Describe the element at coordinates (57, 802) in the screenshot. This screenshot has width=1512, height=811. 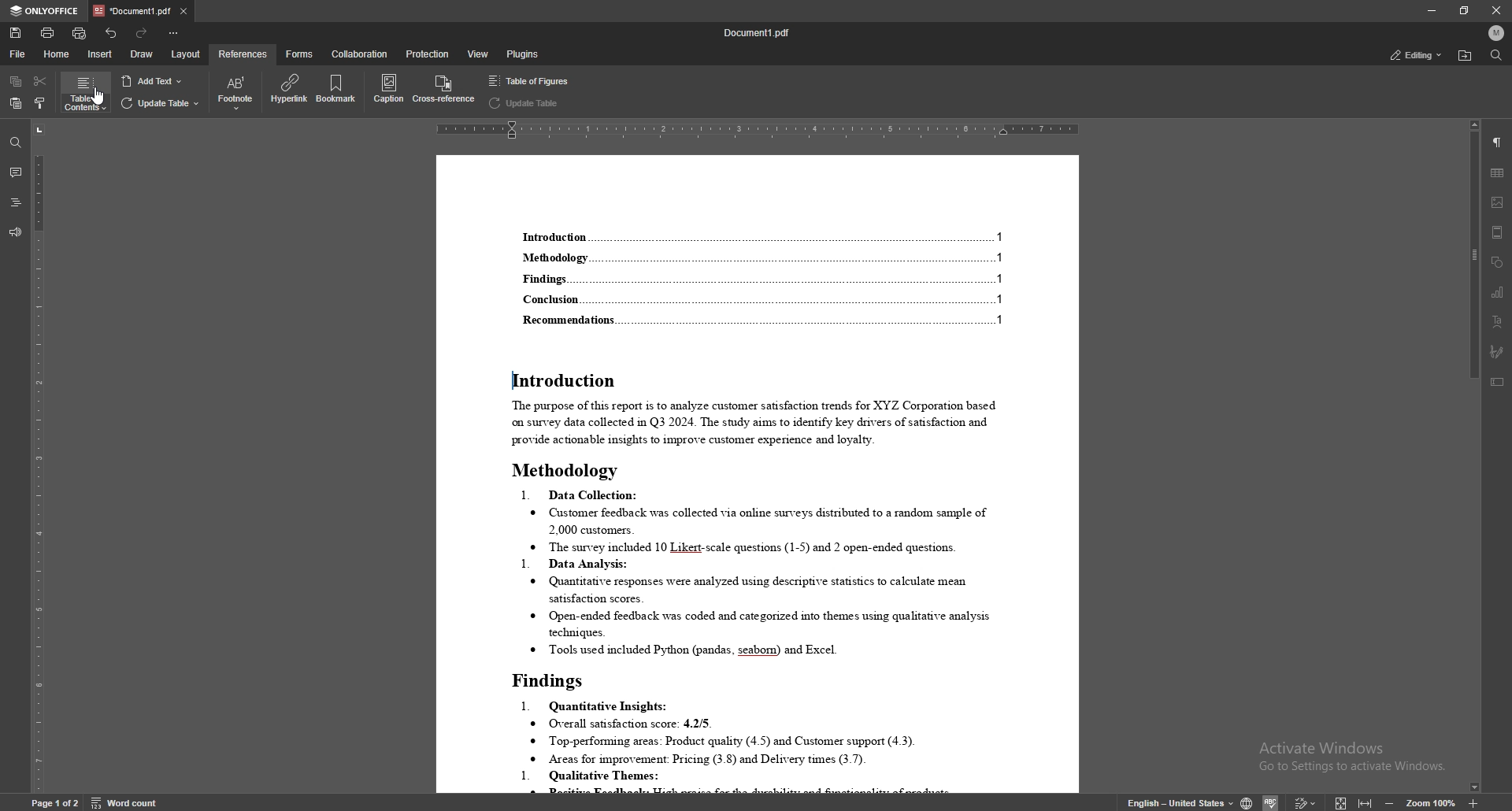
I see `Page 1 0f 1` at that location.